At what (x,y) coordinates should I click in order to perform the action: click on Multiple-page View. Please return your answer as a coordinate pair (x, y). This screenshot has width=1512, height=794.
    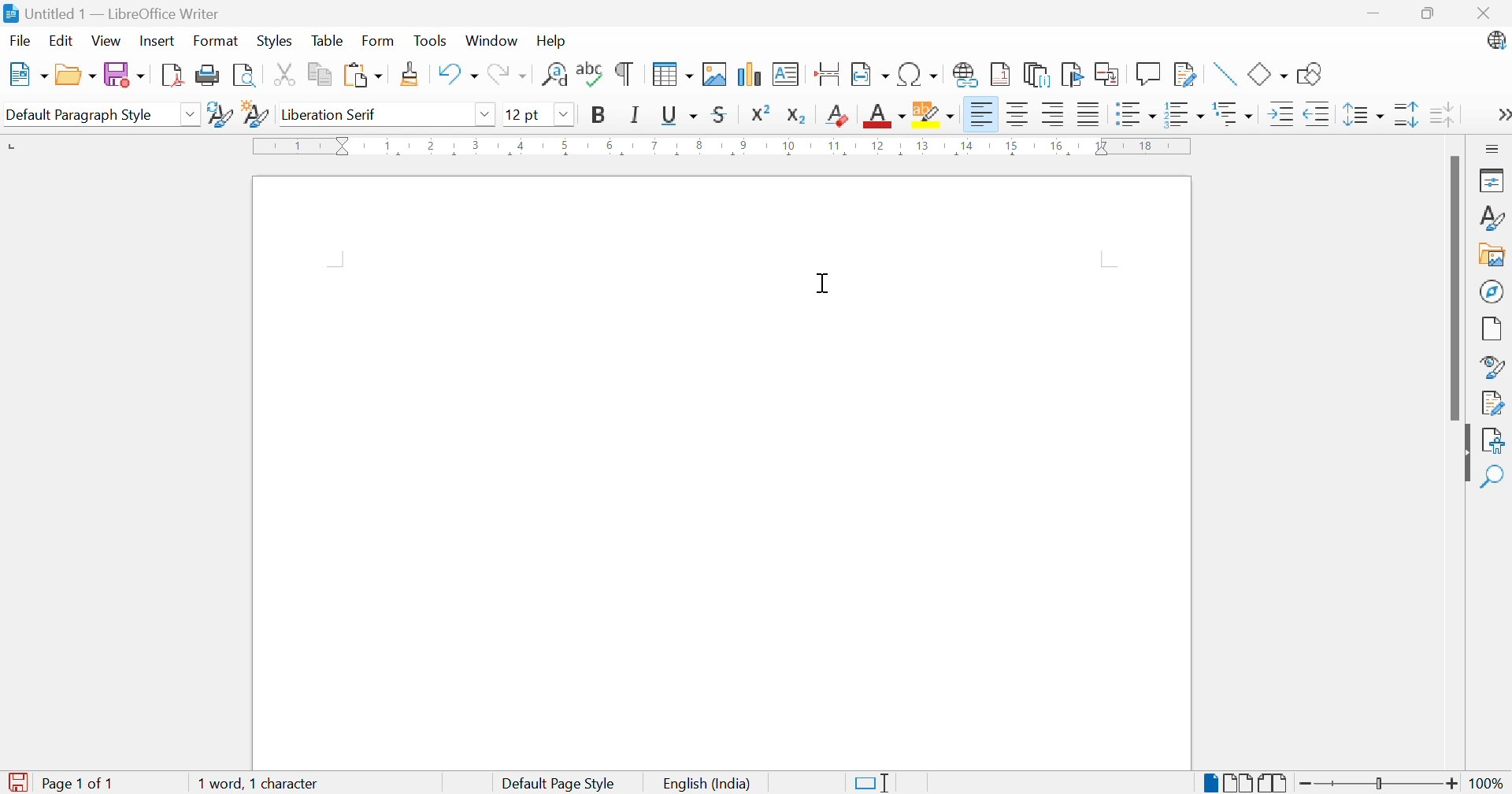
    Looking at the image, I should click on (1240, 781).